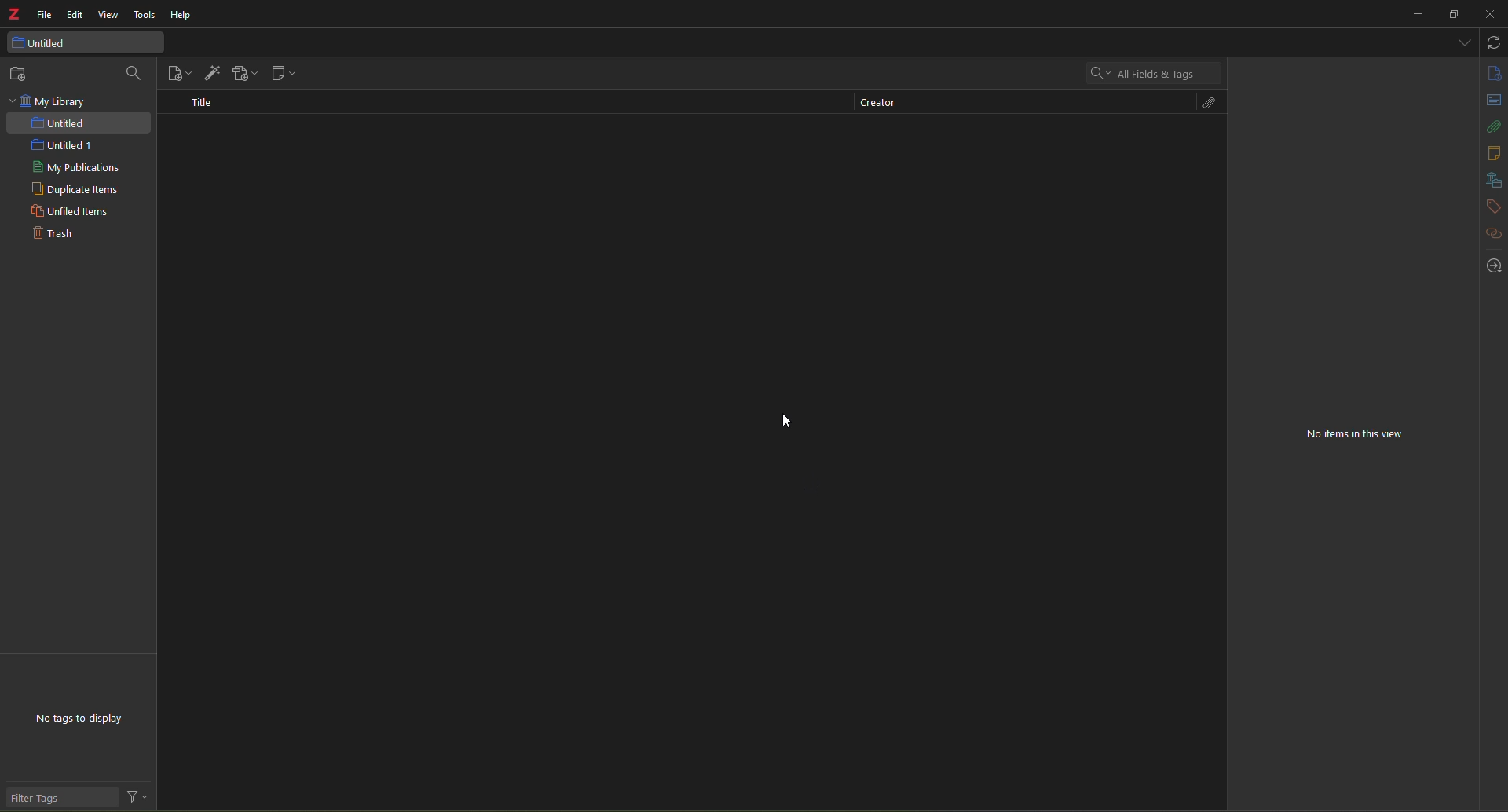 This screenshot has width=1508, height=812. I want to click on search, so click(135, 73).